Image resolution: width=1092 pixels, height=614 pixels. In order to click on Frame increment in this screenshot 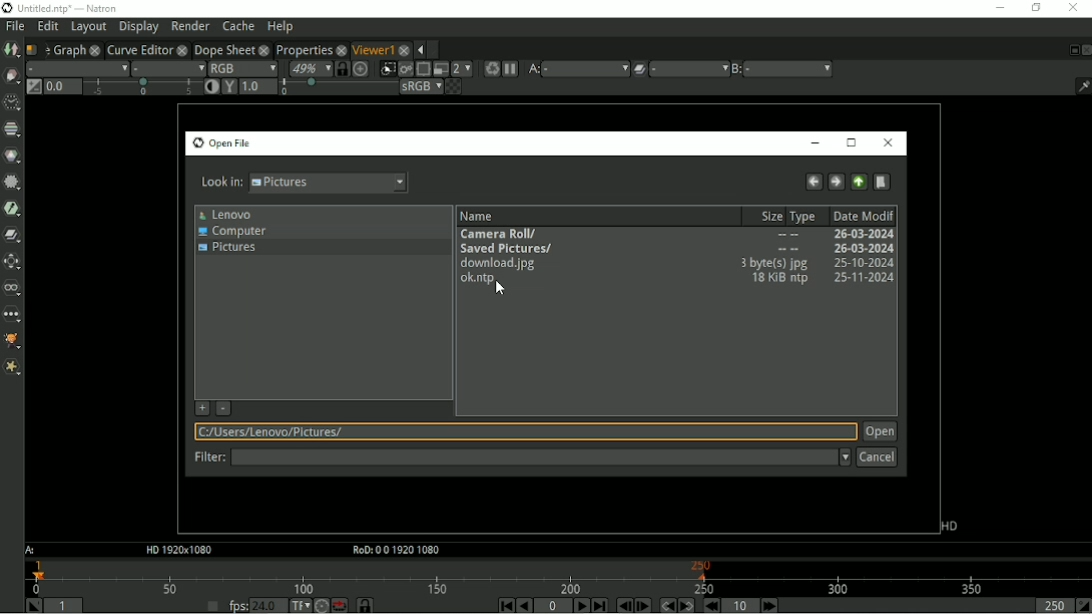, I will do `click(742, 605)`.